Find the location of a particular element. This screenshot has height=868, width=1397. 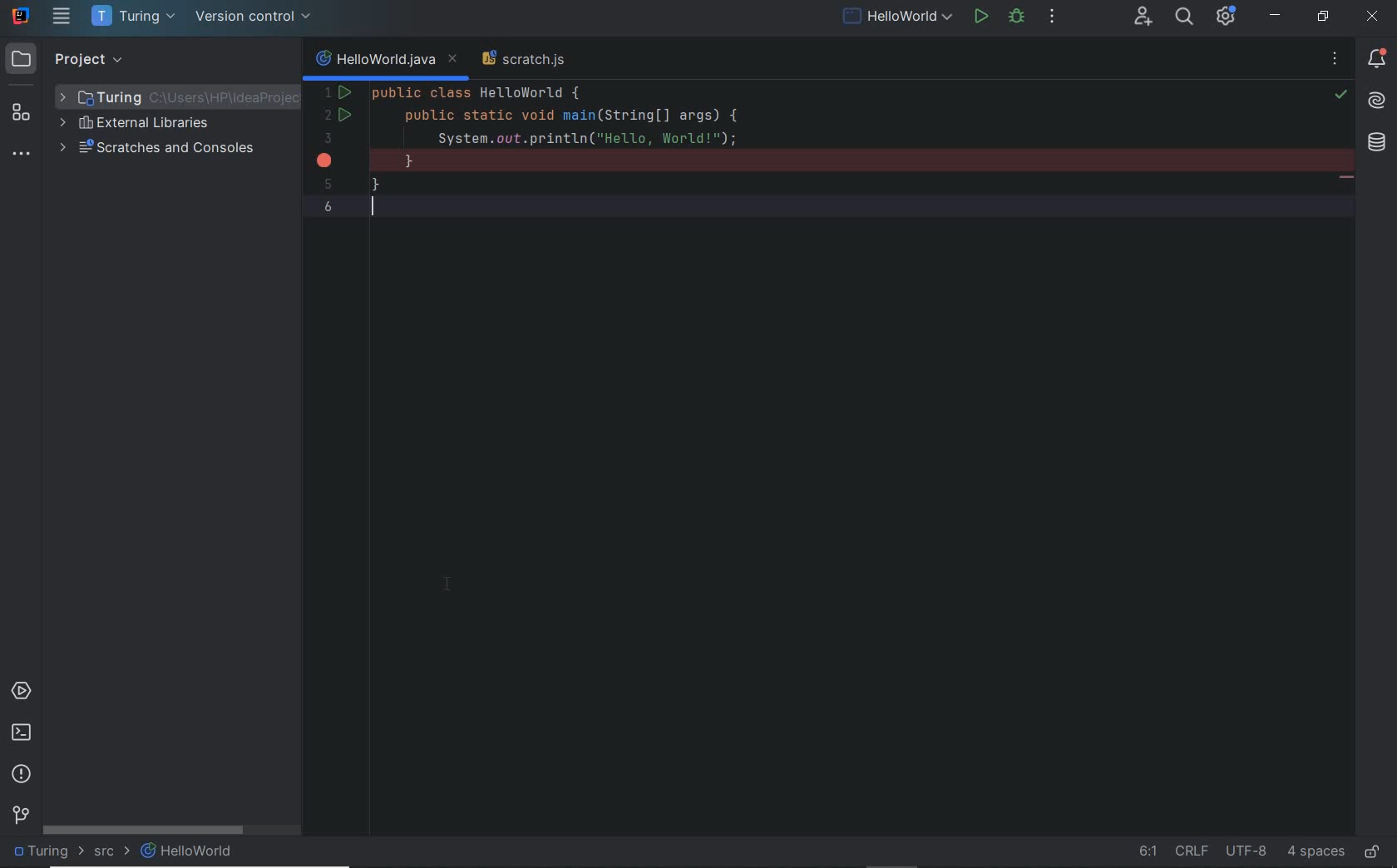

scratch file is located at coordinates (524, 59).